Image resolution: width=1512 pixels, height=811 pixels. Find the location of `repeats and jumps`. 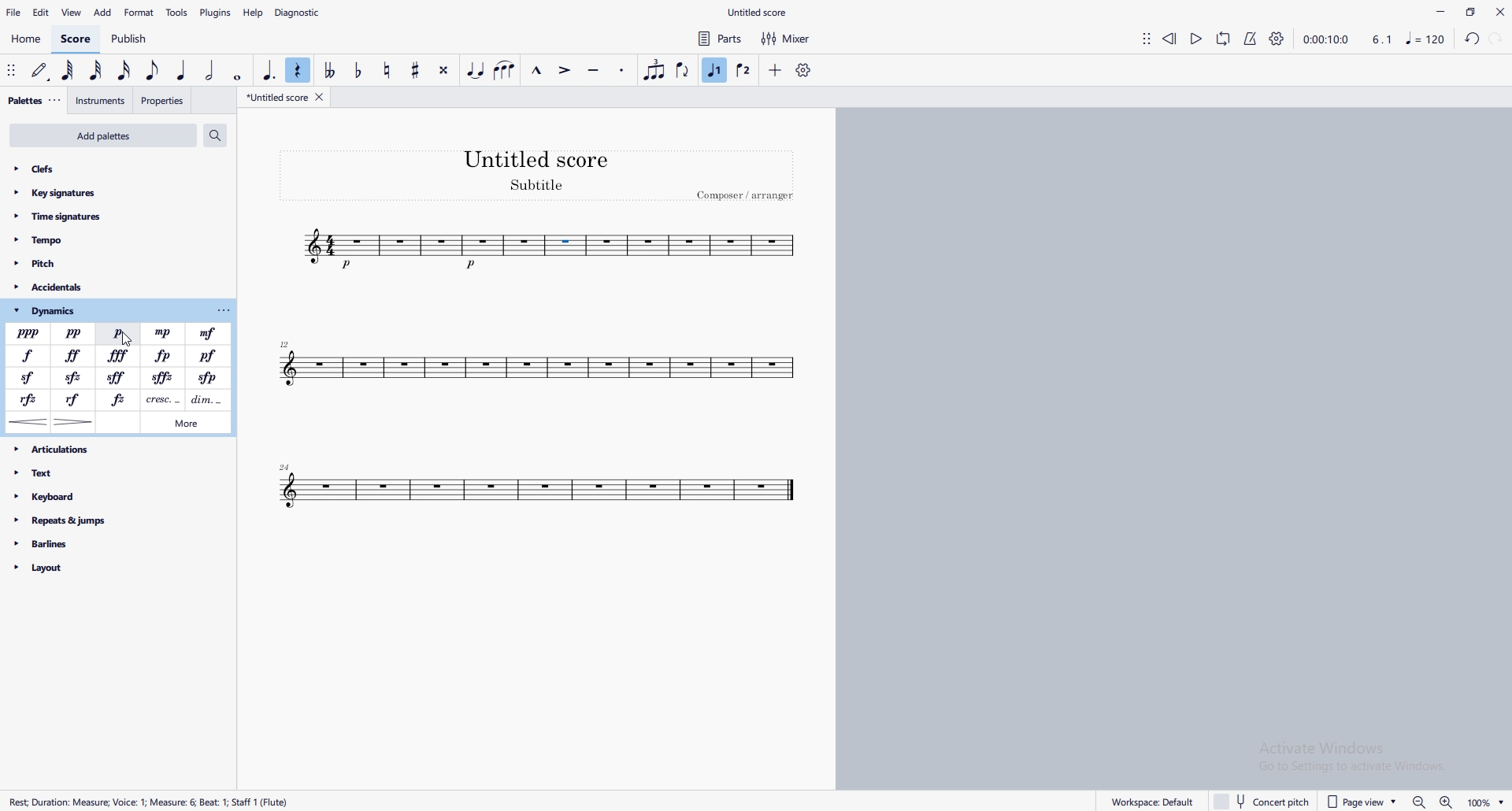

repeats and jumps is located at coordinates (99, 522).